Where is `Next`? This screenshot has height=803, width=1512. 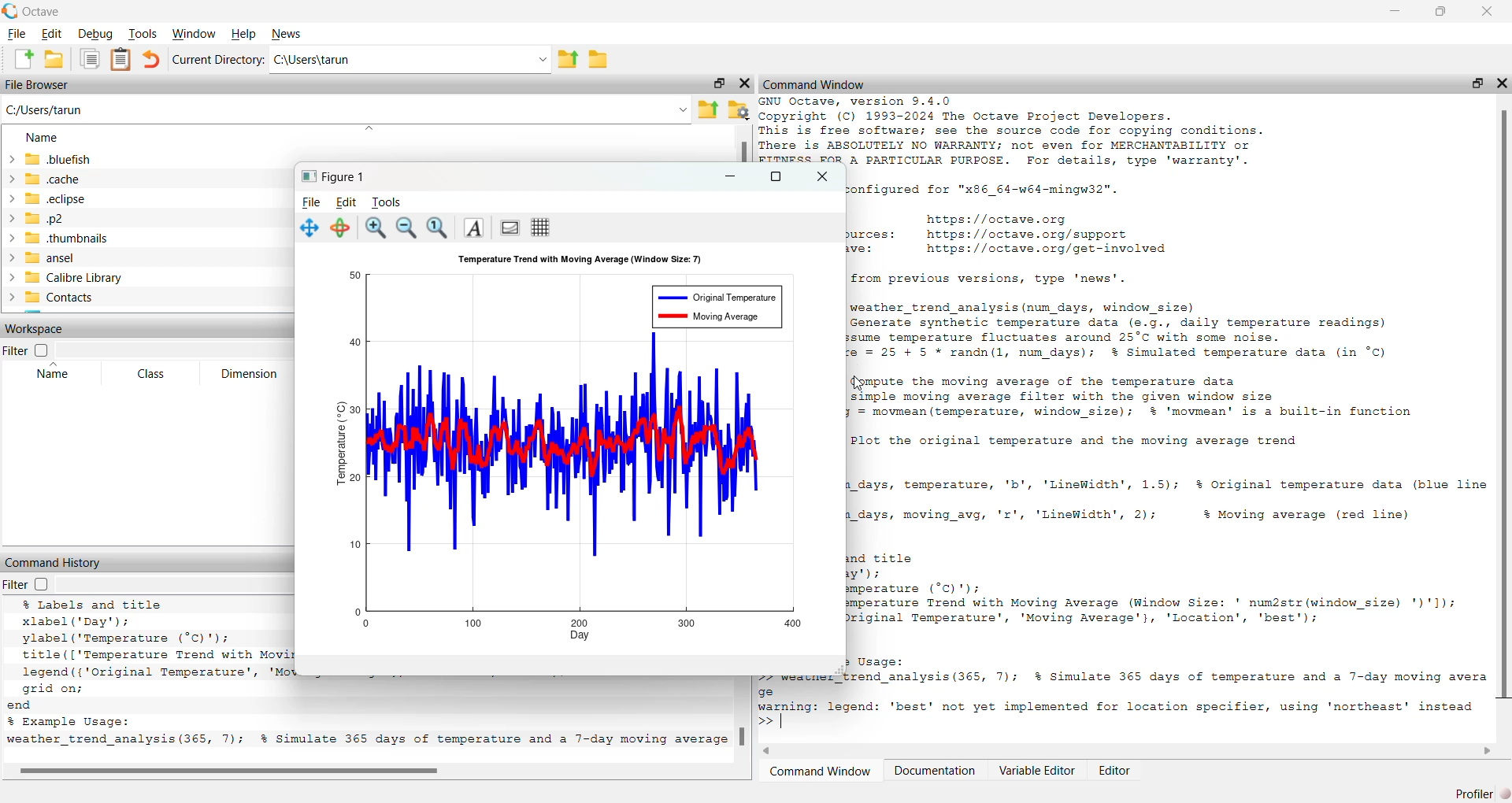 Next is located at coordinates (1484, 752).